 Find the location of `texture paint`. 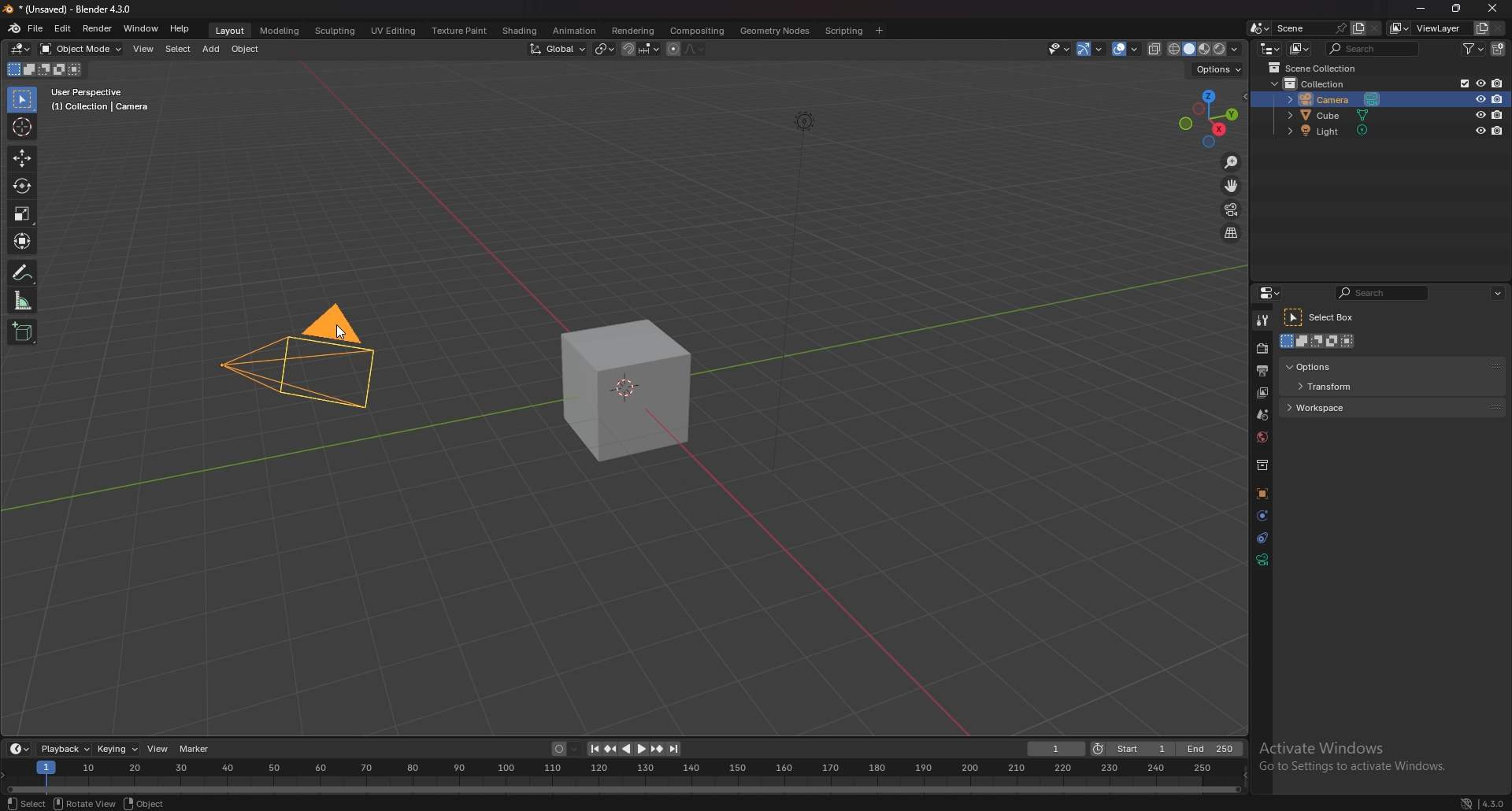

texture paint is located at coordinates (460, 31).